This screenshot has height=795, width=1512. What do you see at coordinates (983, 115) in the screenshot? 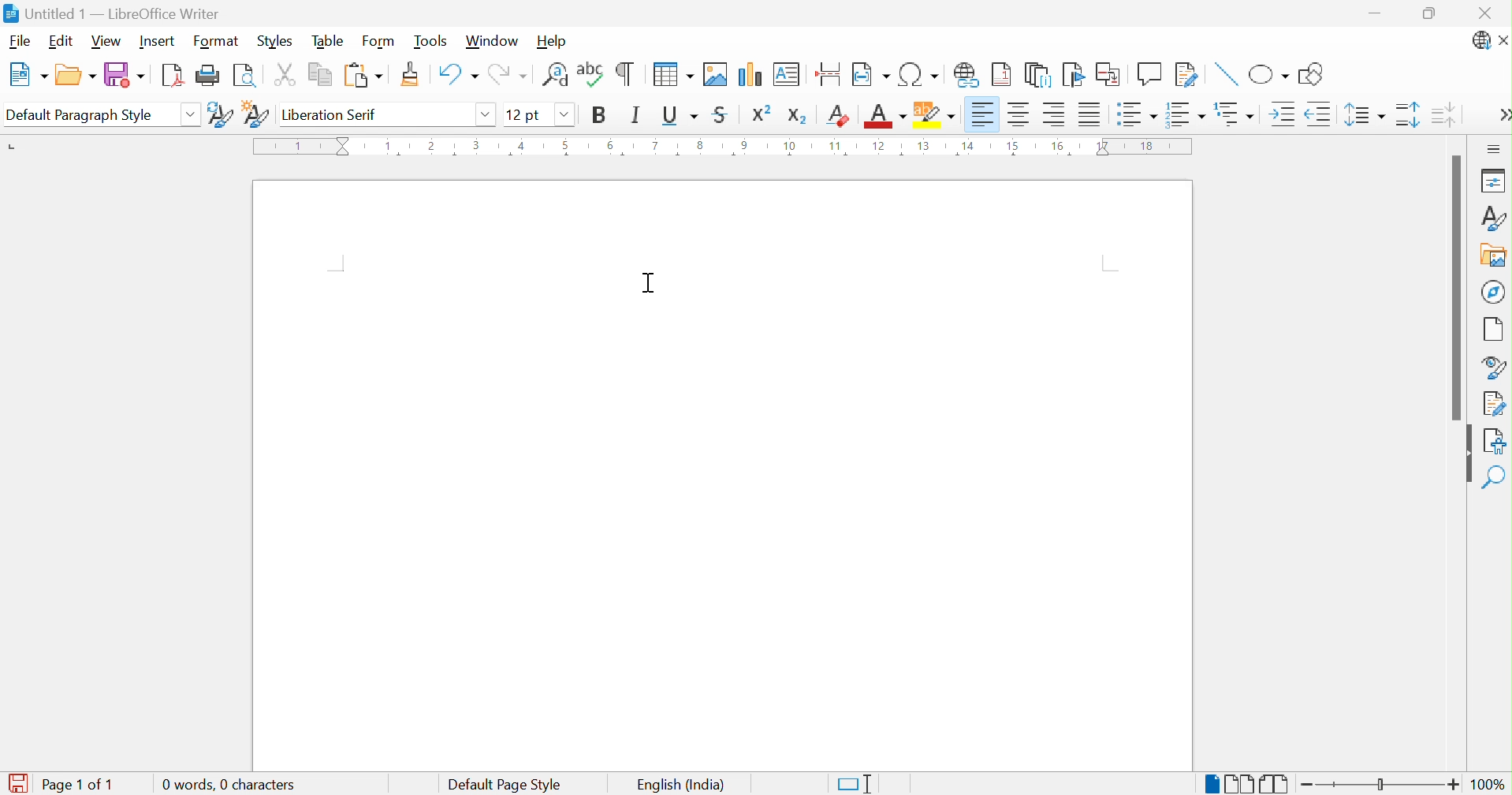
I see `Align left` at bounding box center [983, 115].